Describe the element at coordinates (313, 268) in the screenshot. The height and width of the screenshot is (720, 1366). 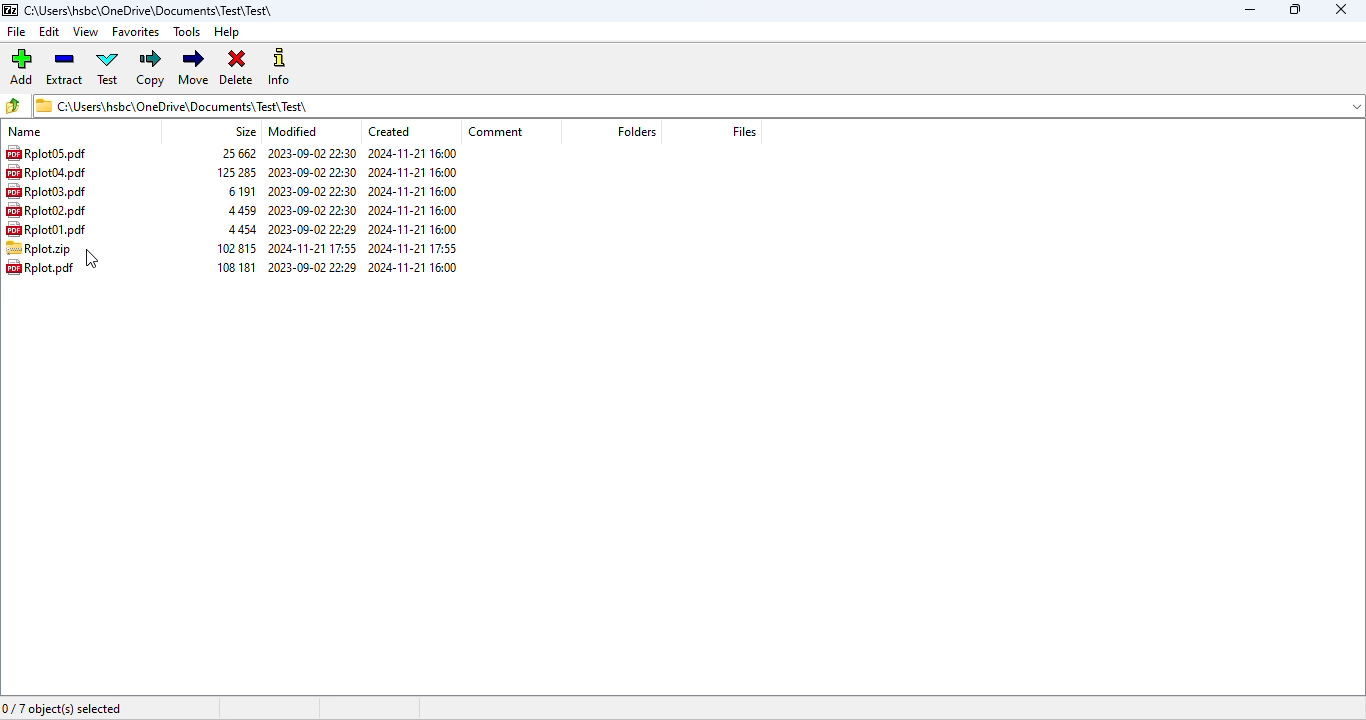
I see `2023-09-02 22:29` at that location.